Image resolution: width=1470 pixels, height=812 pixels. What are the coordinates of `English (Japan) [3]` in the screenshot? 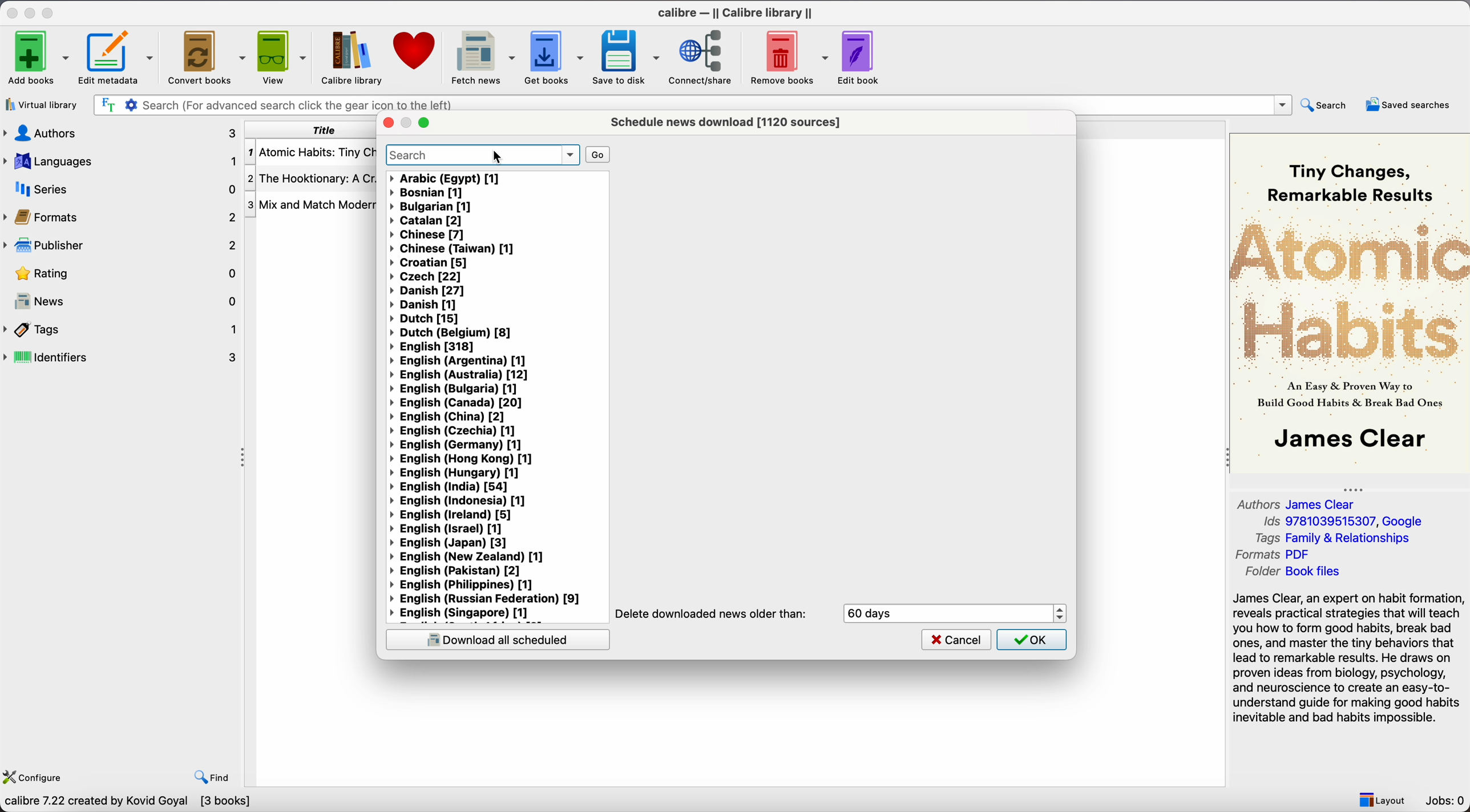 It's located at (449, 544).